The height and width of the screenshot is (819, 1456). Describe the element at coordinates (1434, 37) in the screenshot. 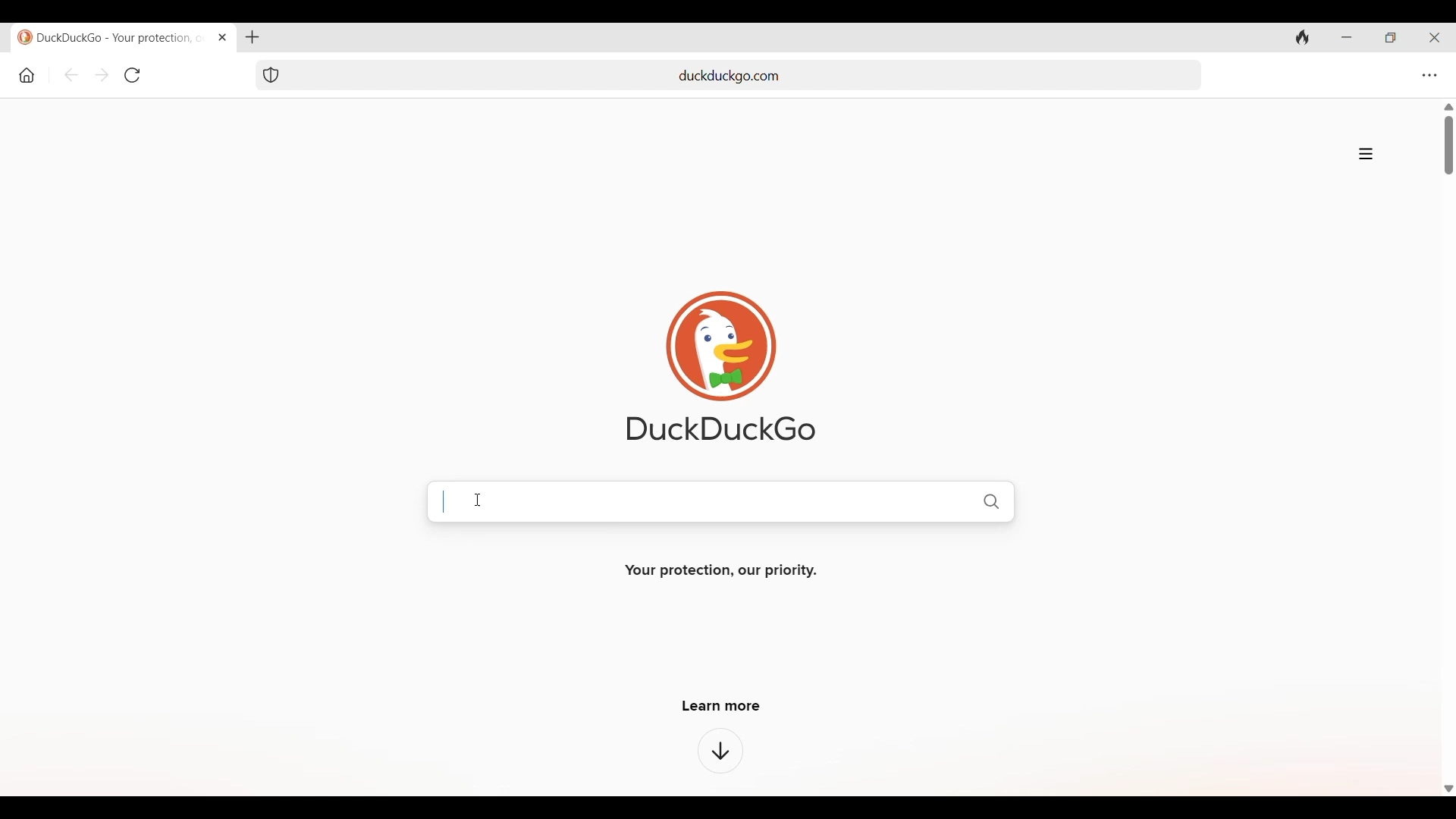

I see `Close interface` at that location.